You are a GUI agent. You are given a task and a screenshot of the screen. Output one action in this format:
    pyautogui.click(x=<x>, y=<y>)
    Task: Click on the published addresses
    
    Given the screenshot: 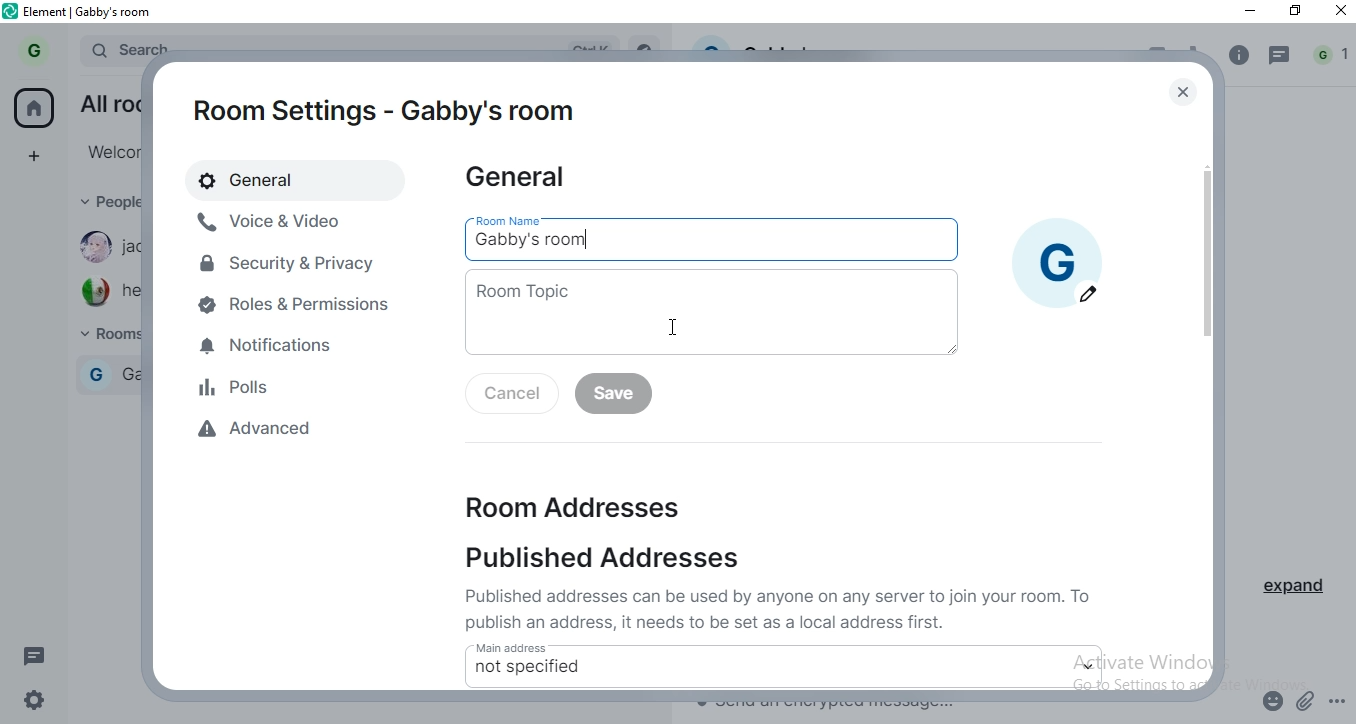 What is the action you would take?
    pyautogui.click(x=621, y=560)
    